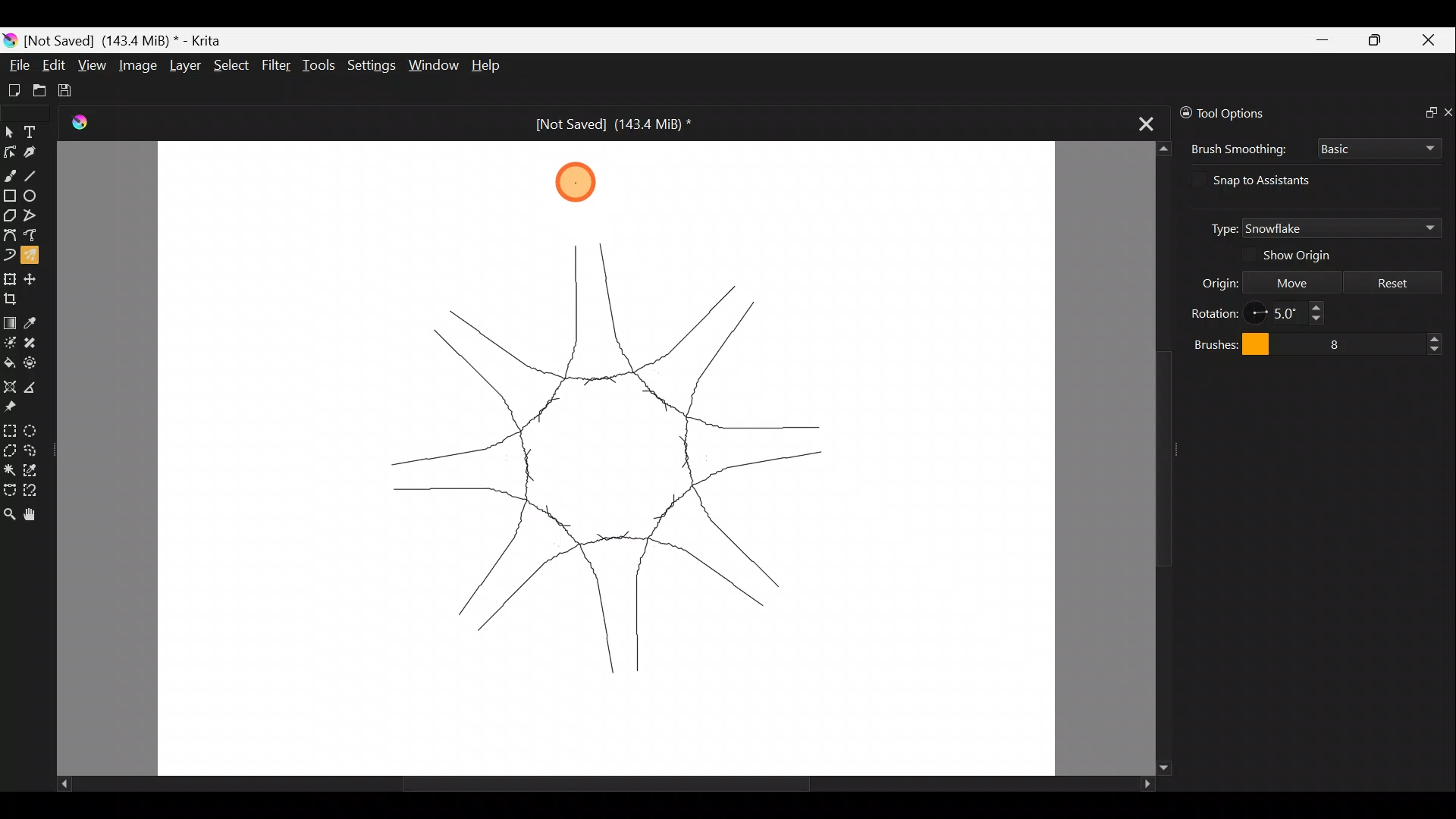 This screenshot has width=1456, height=819. Describe the element at coordinates (1292, 313) in the screenshot. I see `5.0` at that location.